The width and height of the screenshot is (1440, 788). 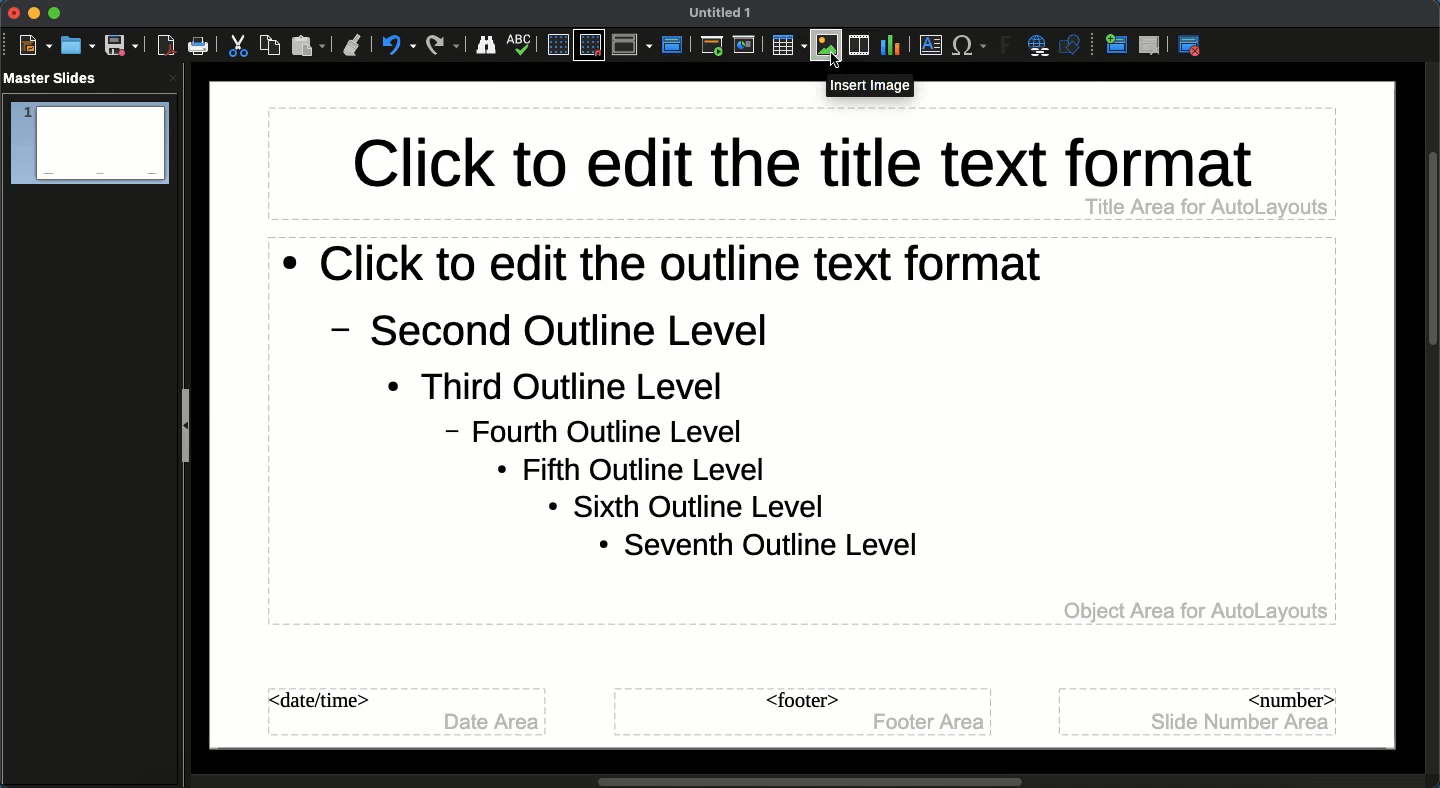 I want to click on Redo, so click(x=444, y=45).